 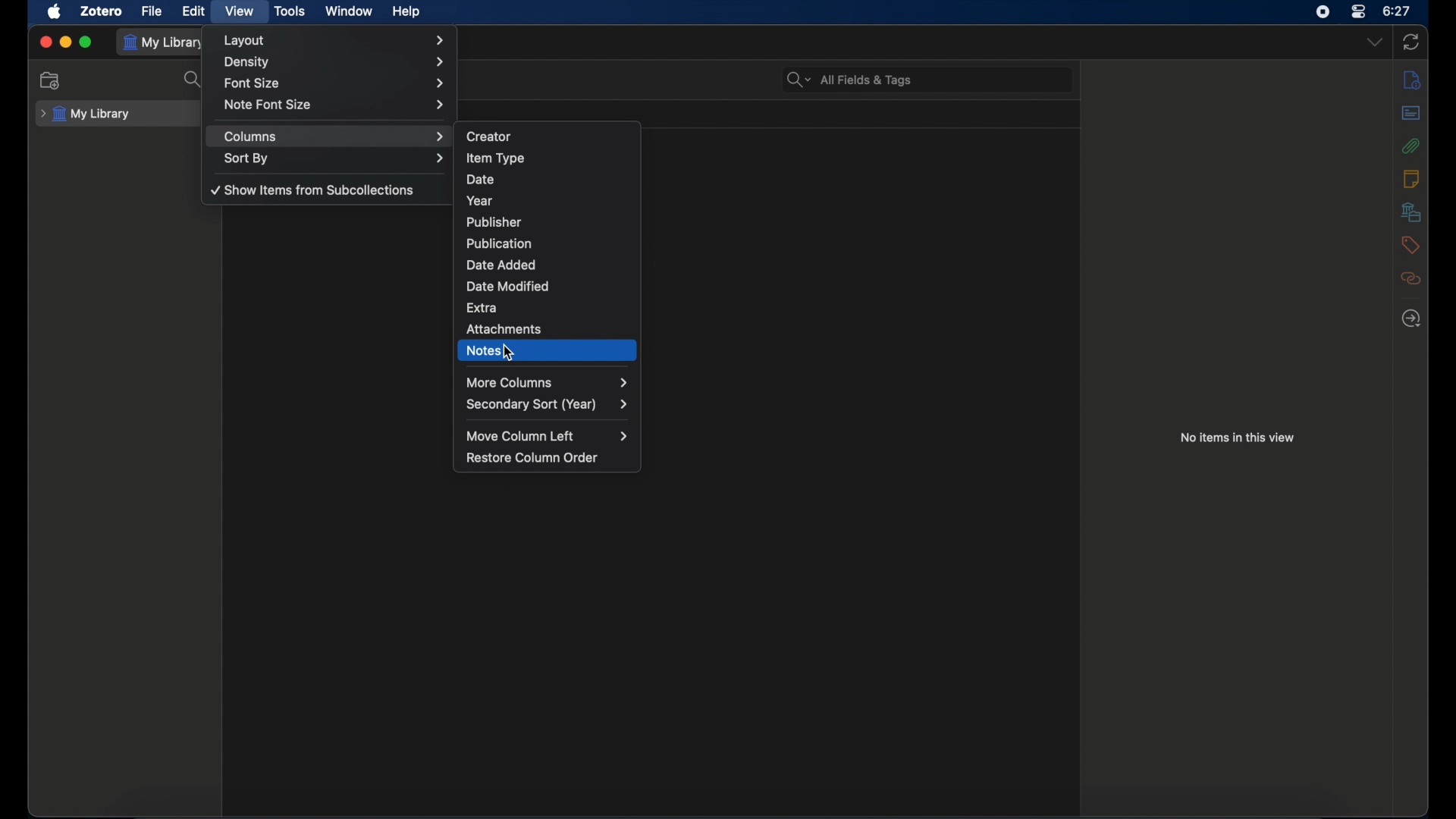 What do you see at coordinates (1411, 42) in the screenshot?
I see `sync` at bounding box center [1411, 42].